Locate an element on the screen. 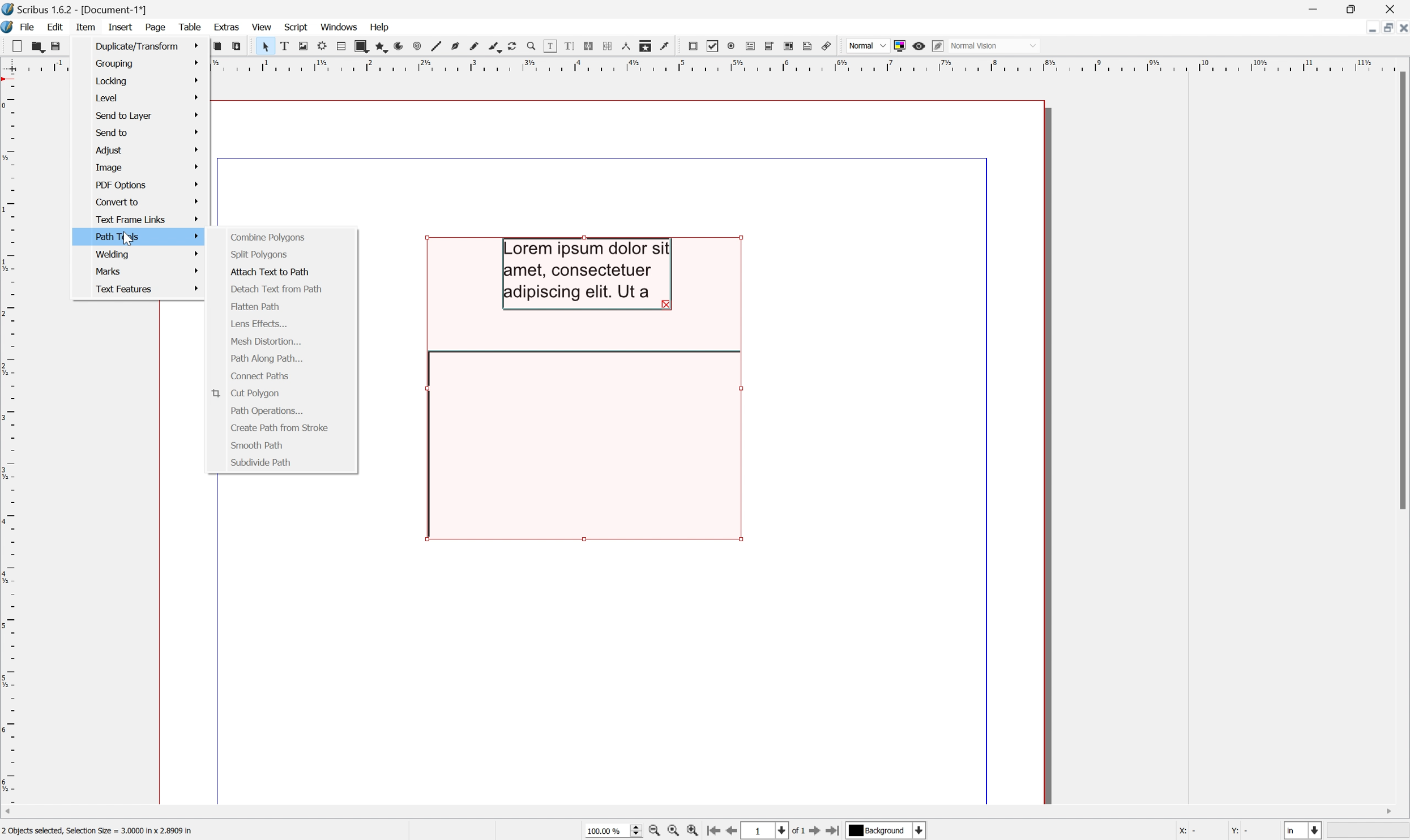 This screenshot has width=1410, height=840. Edit text with story editor is located at coordinates (567, 45).